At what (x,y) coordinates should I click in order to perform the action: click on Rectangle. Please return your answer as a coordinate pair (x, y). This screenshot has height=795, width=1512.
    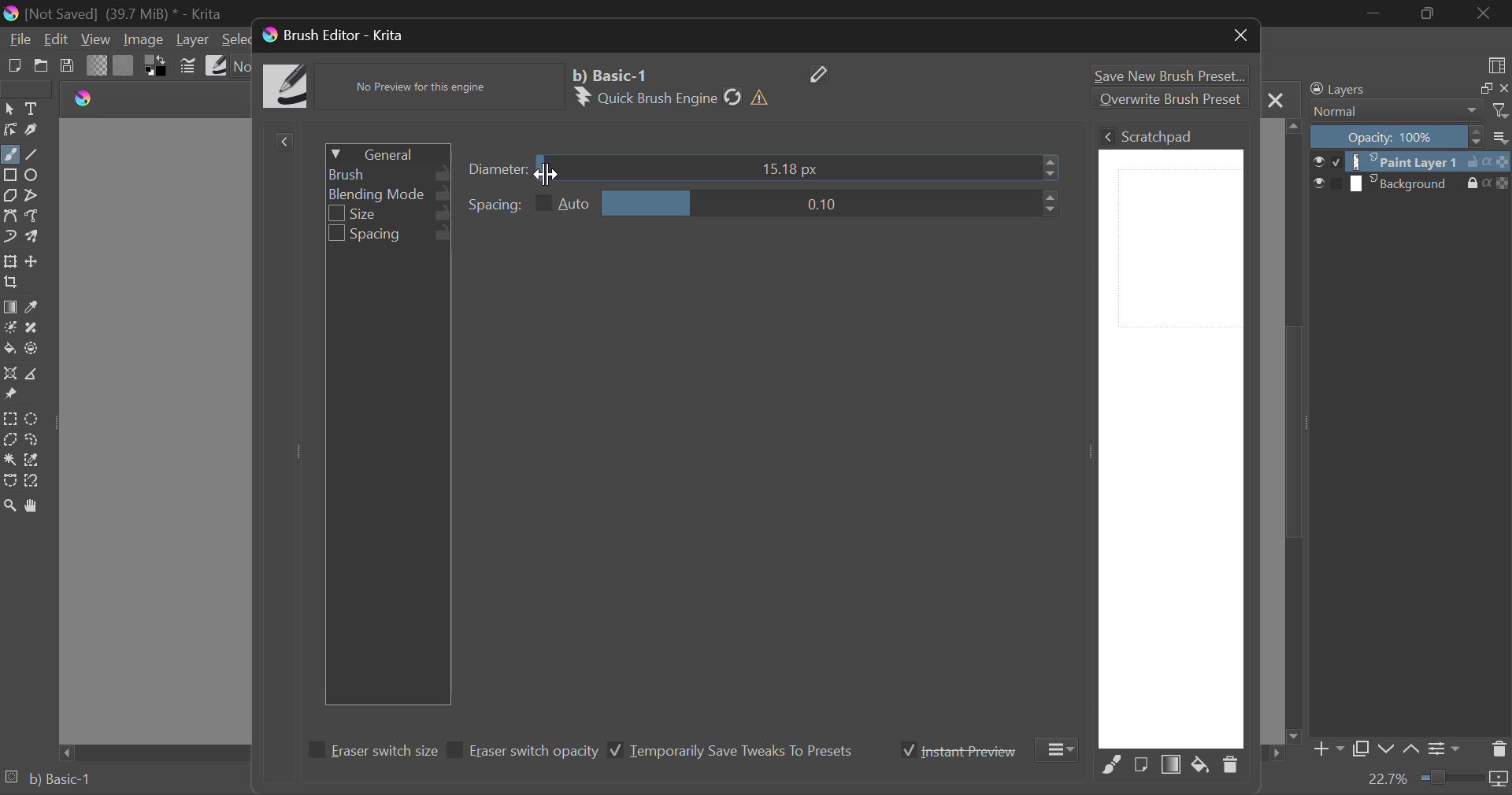
    Looking at the image, I should click on (11, 176).